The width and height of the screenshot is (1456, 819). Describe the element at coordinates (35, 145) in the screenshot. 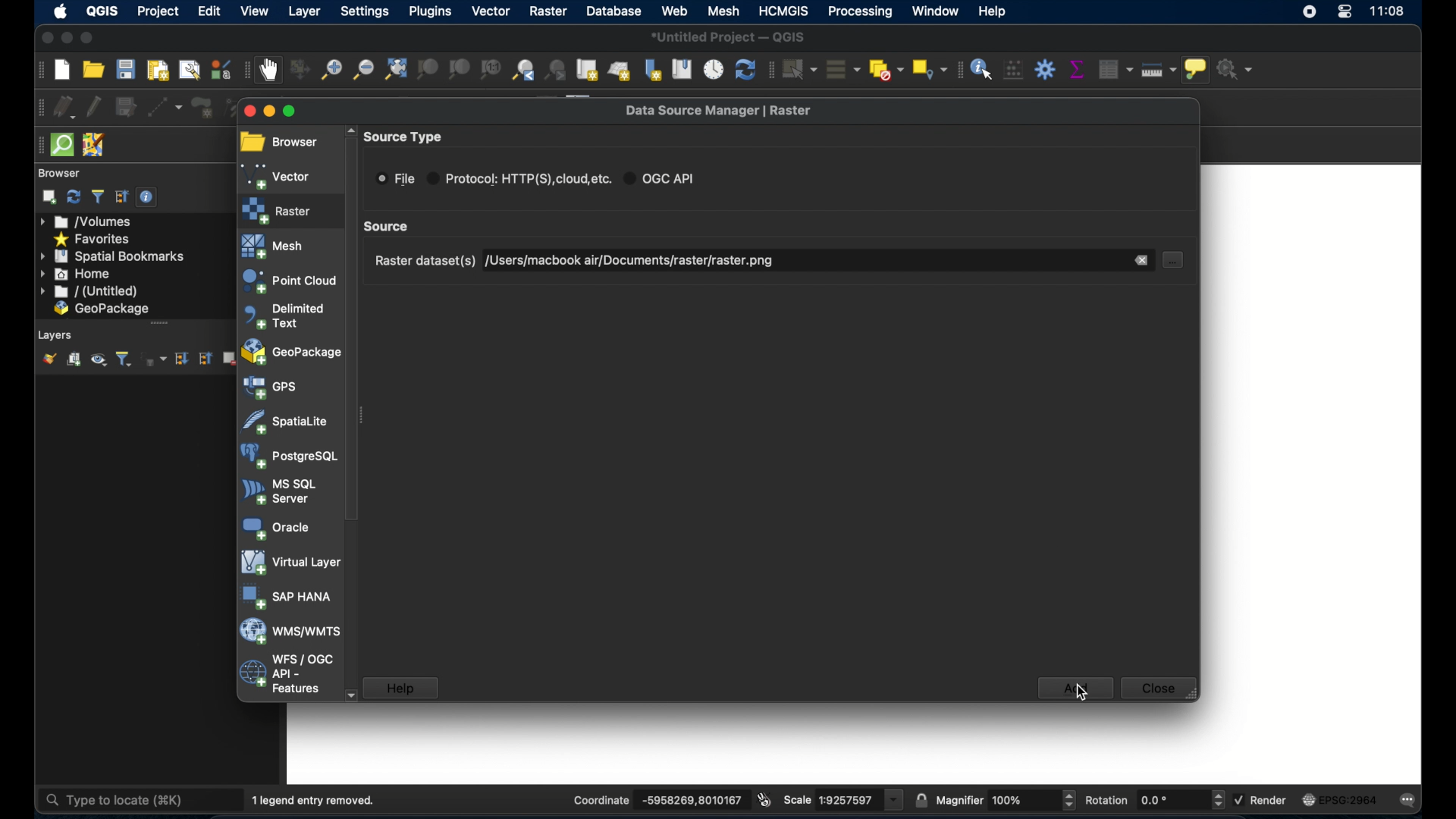

I see `drag handle` at that location.